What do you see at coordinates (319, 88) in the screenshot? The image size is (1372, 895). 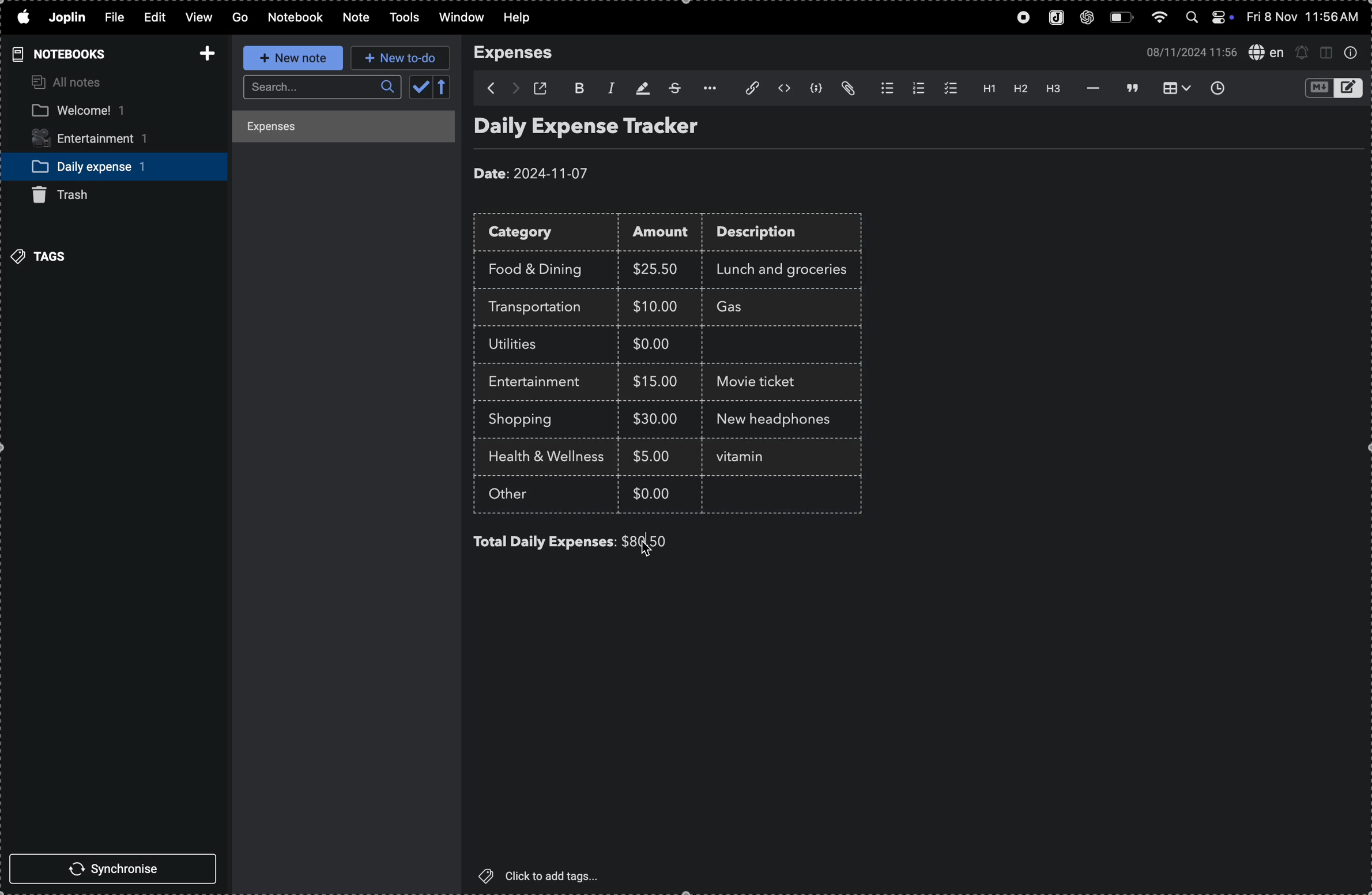 I see `search bar` at bounding box center [319, 88].